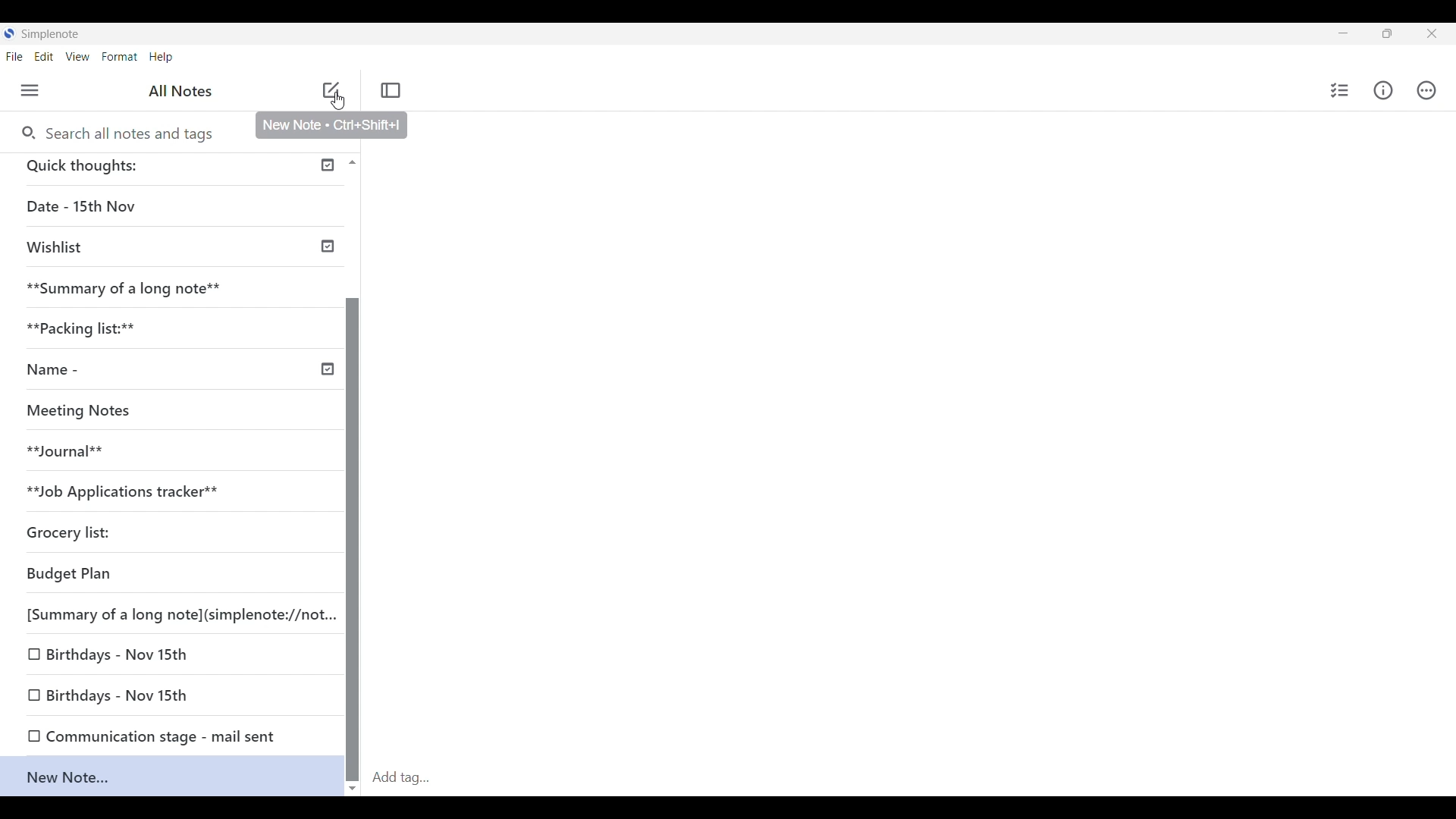  Describe the element at coordinates (14, 57) in the screenshot. I see `File` at that location.